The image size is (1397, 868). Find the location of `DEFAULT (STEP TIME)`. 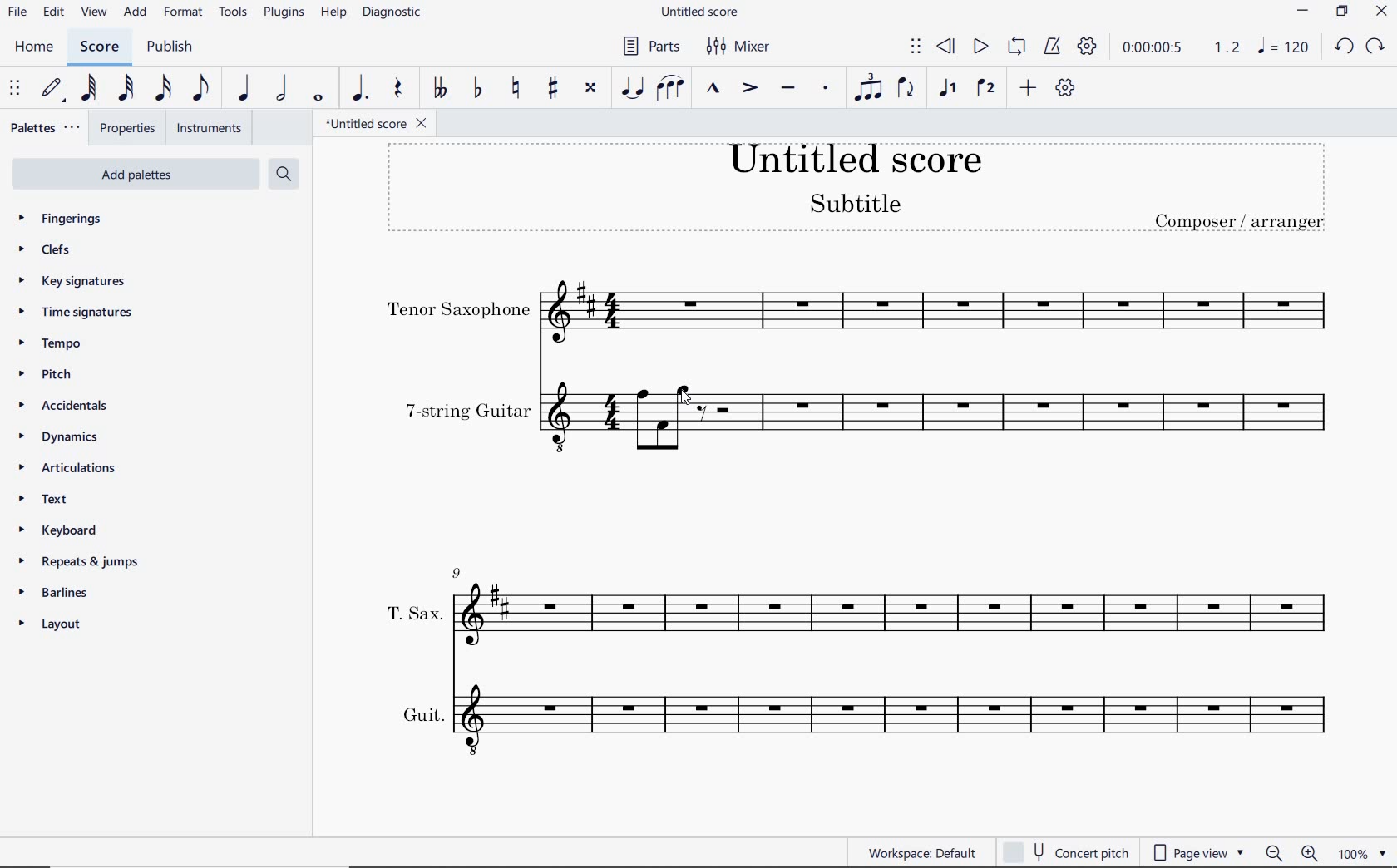

DEFAULT (STEP TIME) is located at coordinates (51, 89).